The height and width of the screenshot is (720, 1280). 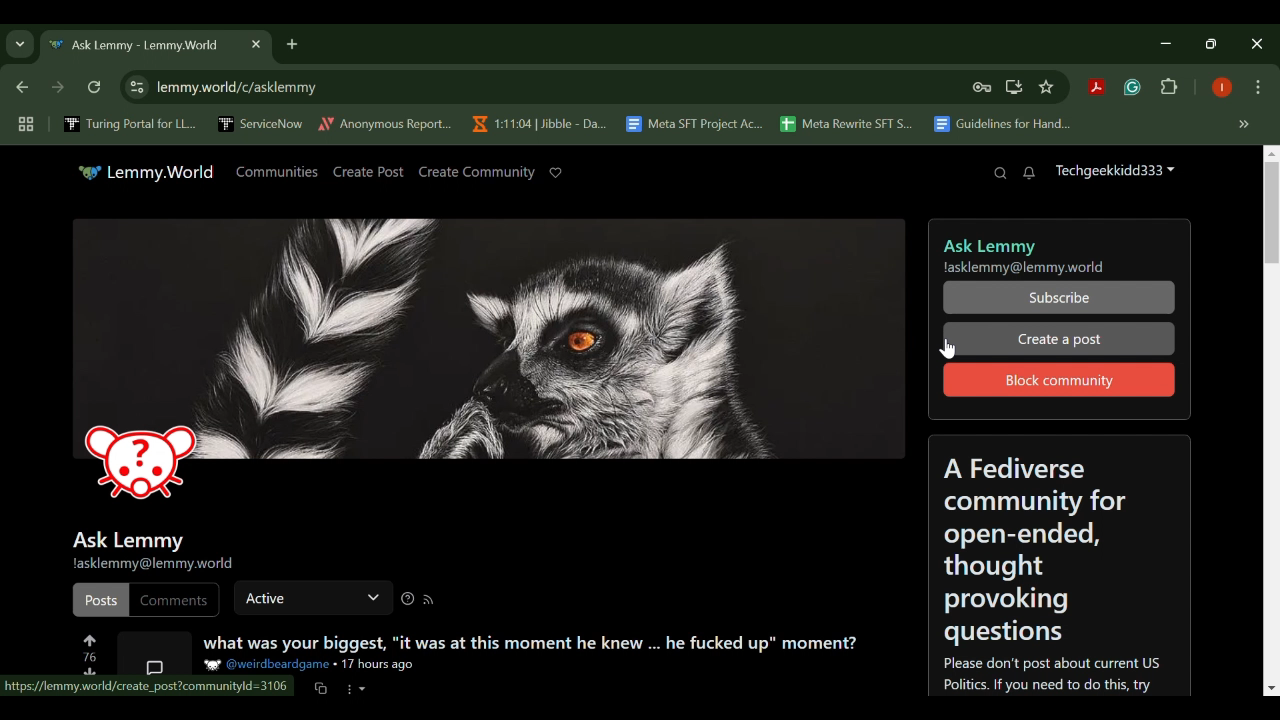 I want to click on Scroll Bar, so click(x=1267, y=424).